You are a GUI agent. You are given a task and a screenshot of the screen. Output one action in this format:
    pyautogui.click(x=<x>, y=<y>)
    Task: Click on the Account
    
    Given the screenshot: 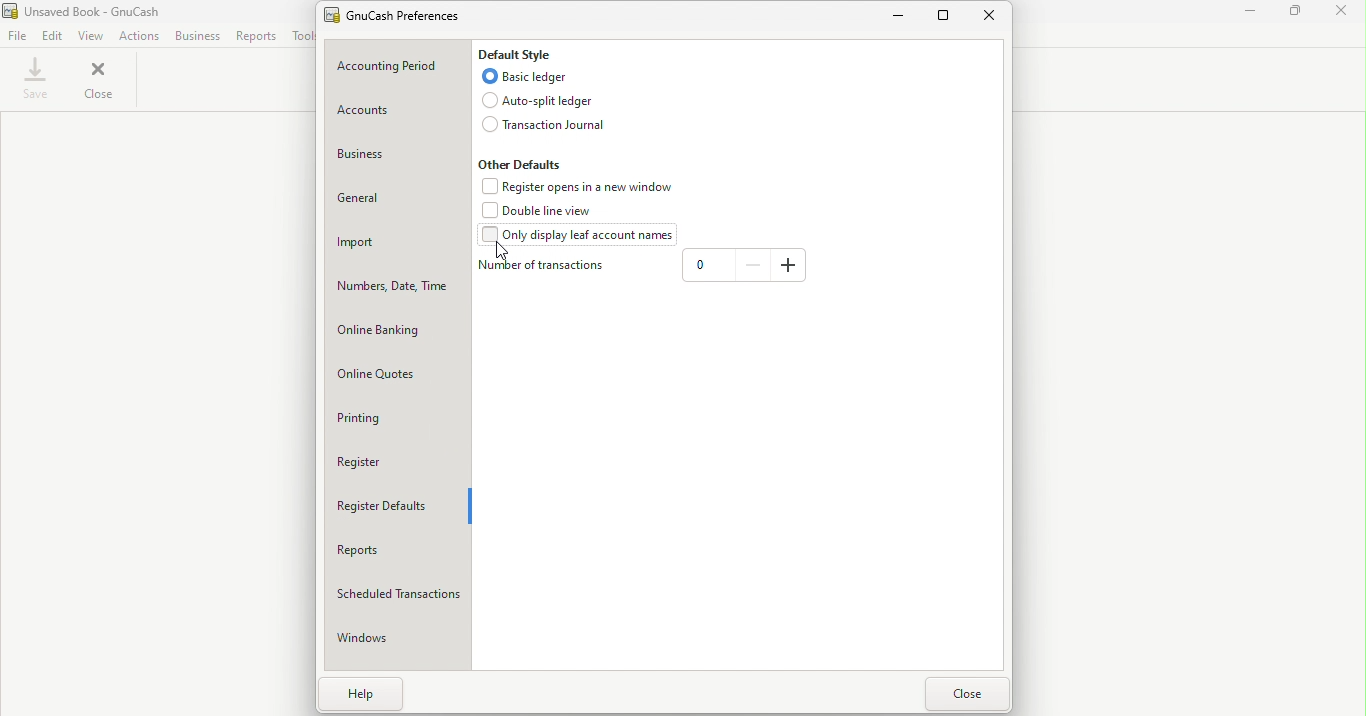 What is the action you would take?
    pyautogui.click(x=398, y=112)
    